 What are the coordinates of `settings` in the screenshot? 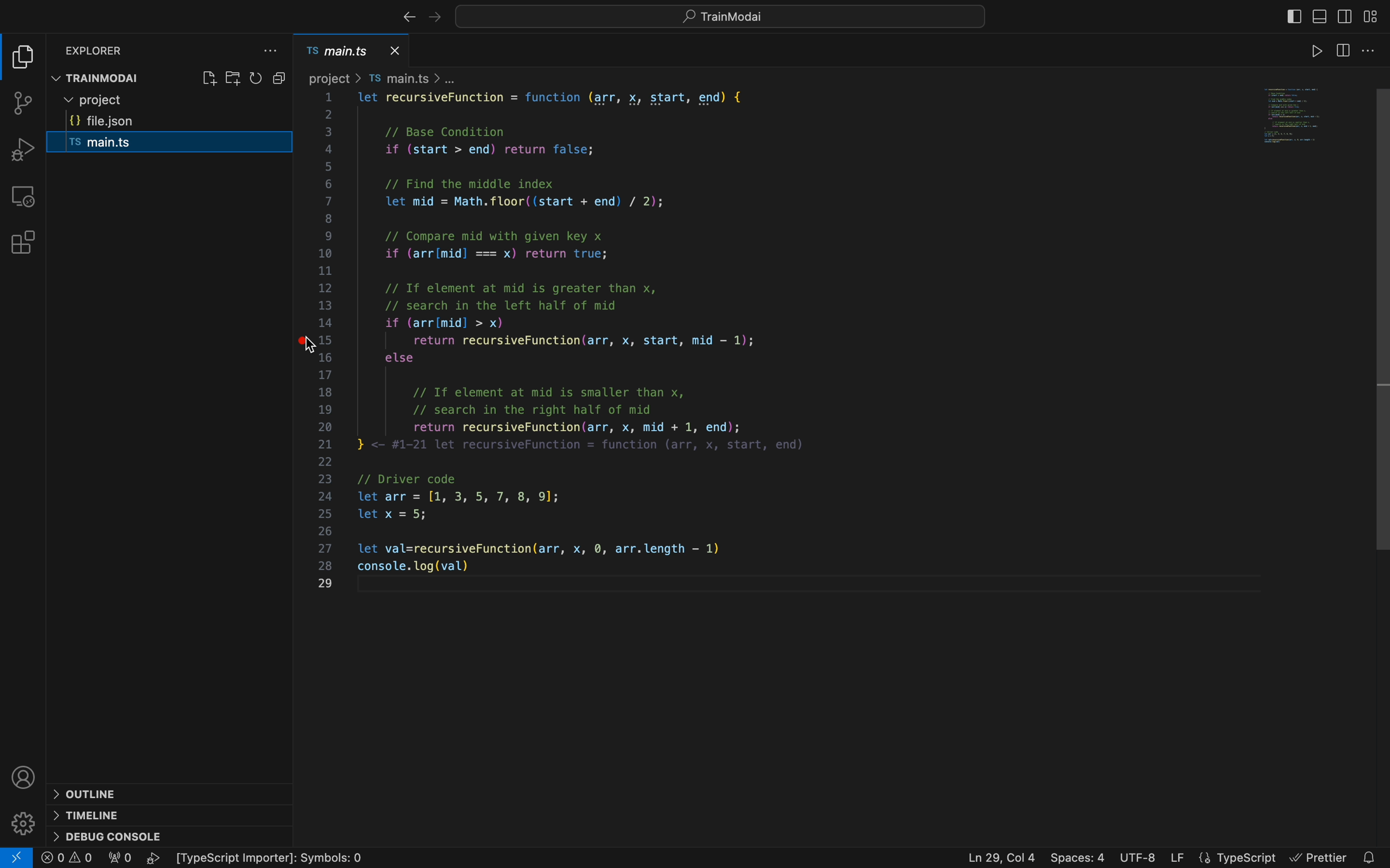 It's located at (22, 826).